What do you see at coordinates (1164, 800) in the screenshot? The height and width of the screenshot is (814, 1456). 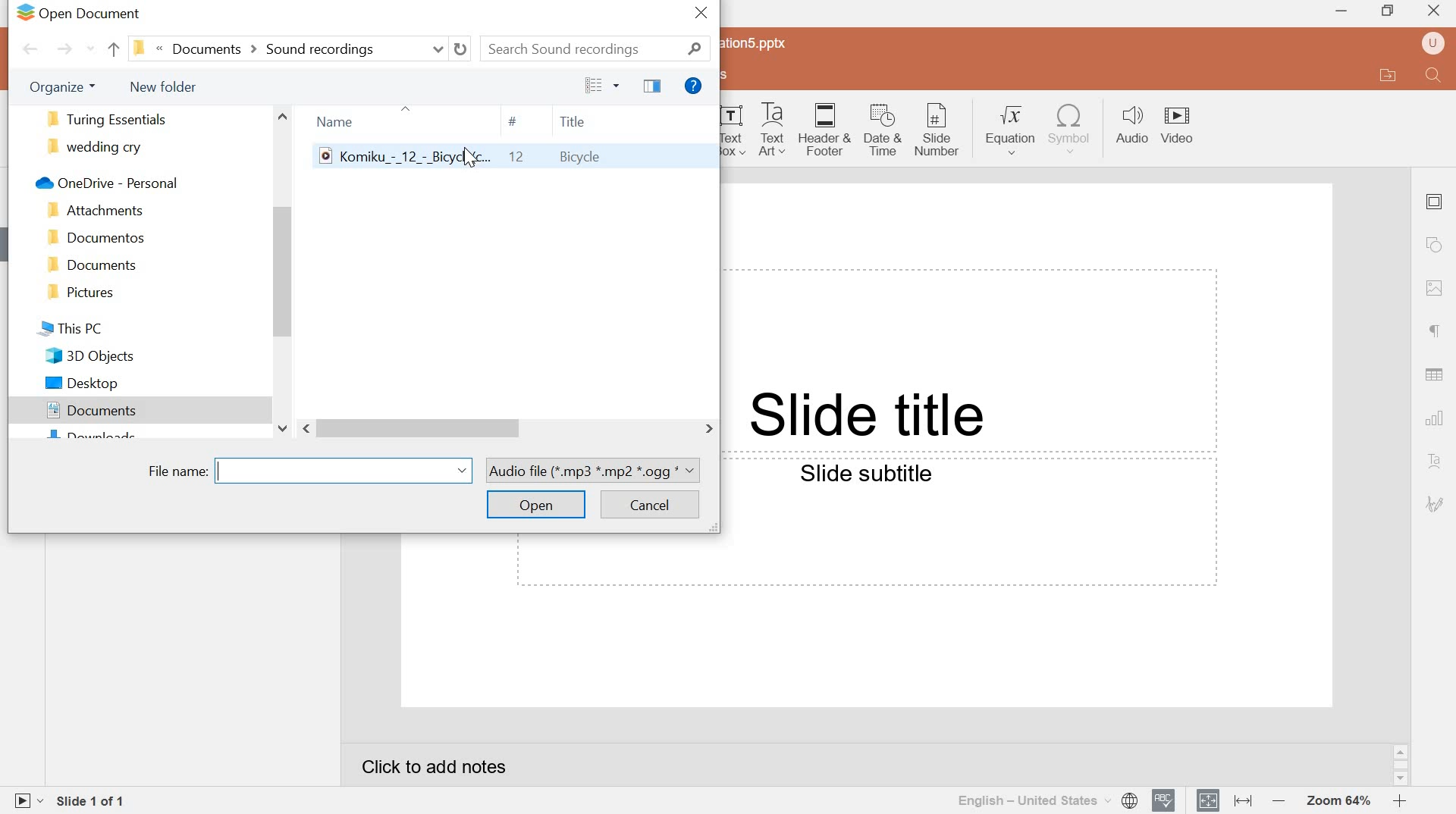 I see `spell checking` at bounding box center [1164, 800].